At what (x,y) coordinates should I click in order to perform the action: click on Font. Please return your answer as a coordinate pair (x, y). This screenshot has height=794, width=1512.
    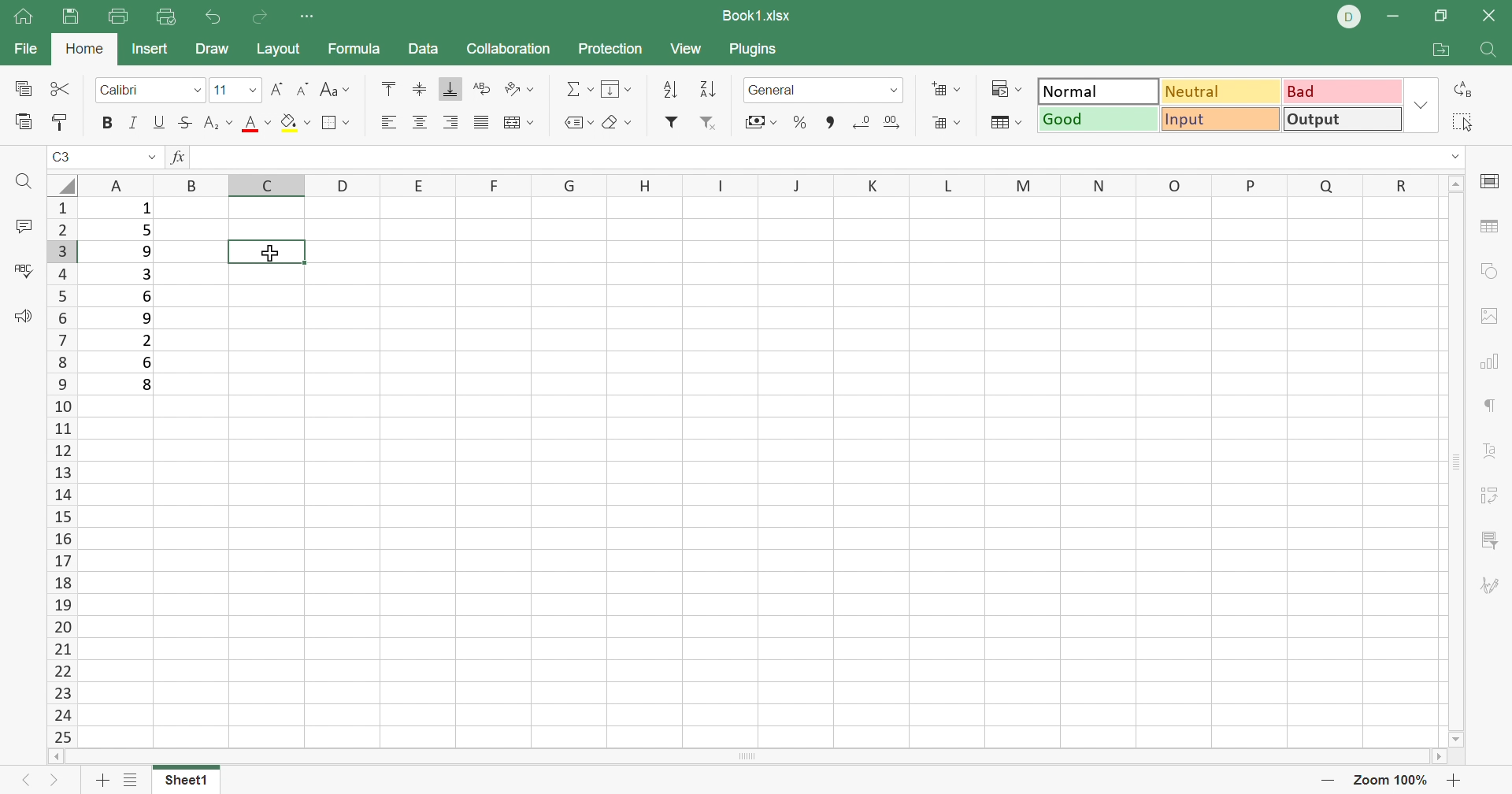
    Looking at the image, I should click on (152, 88).